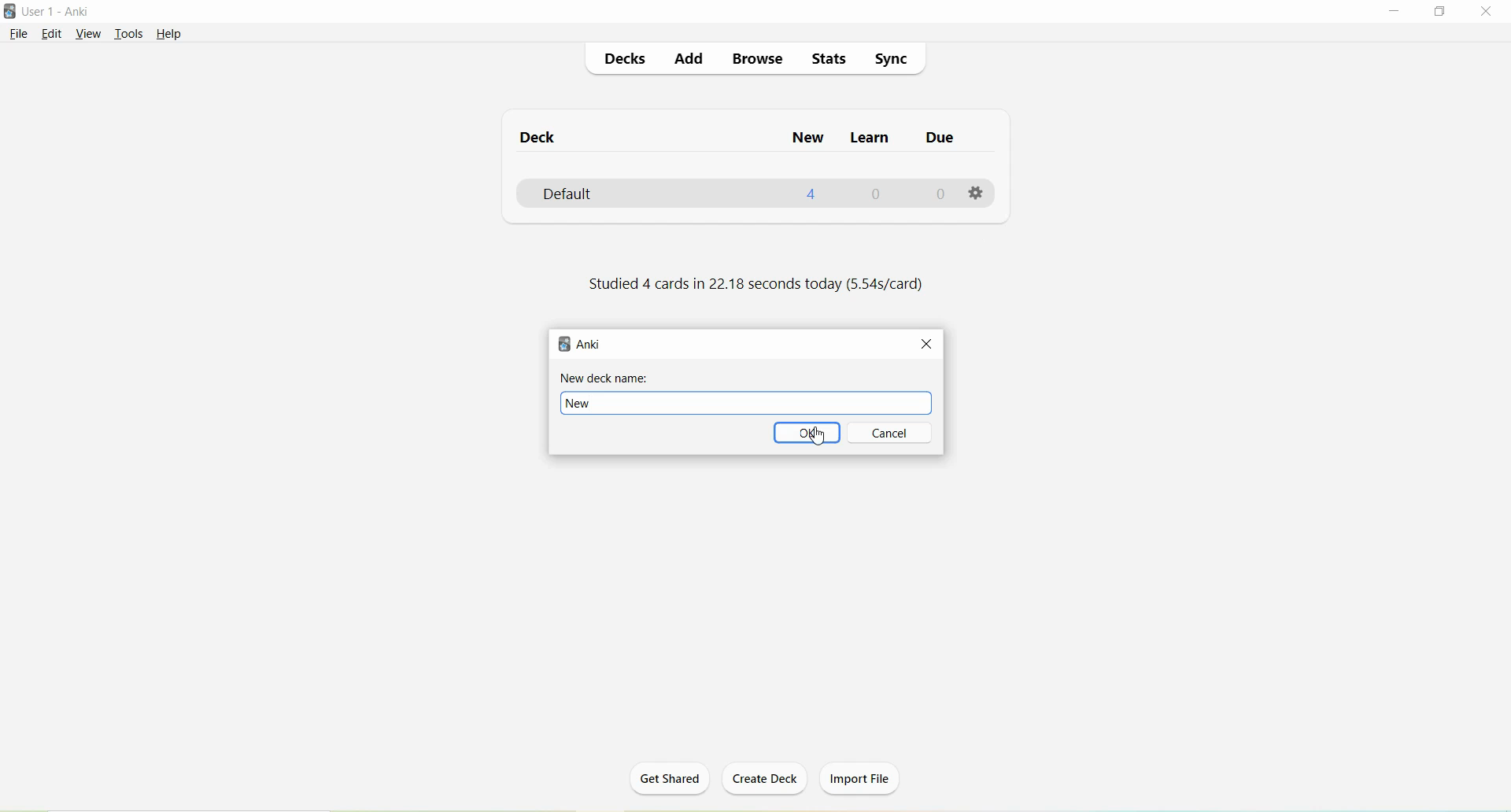  What do you see at coordinates (51, 35) in the screenshot?
I see `Edit` at bounding box center [51, 35].